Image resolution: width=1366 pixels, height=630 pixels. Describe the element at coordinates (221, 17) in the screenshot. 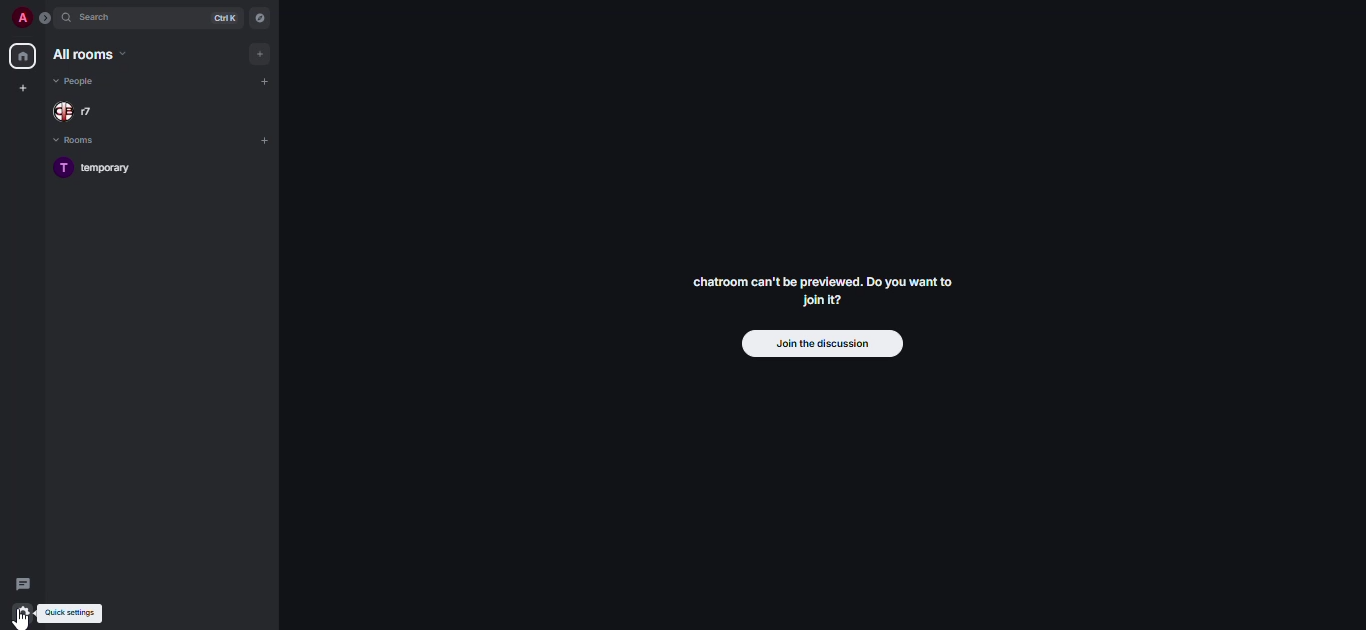

I see `ctrl K` at that location.